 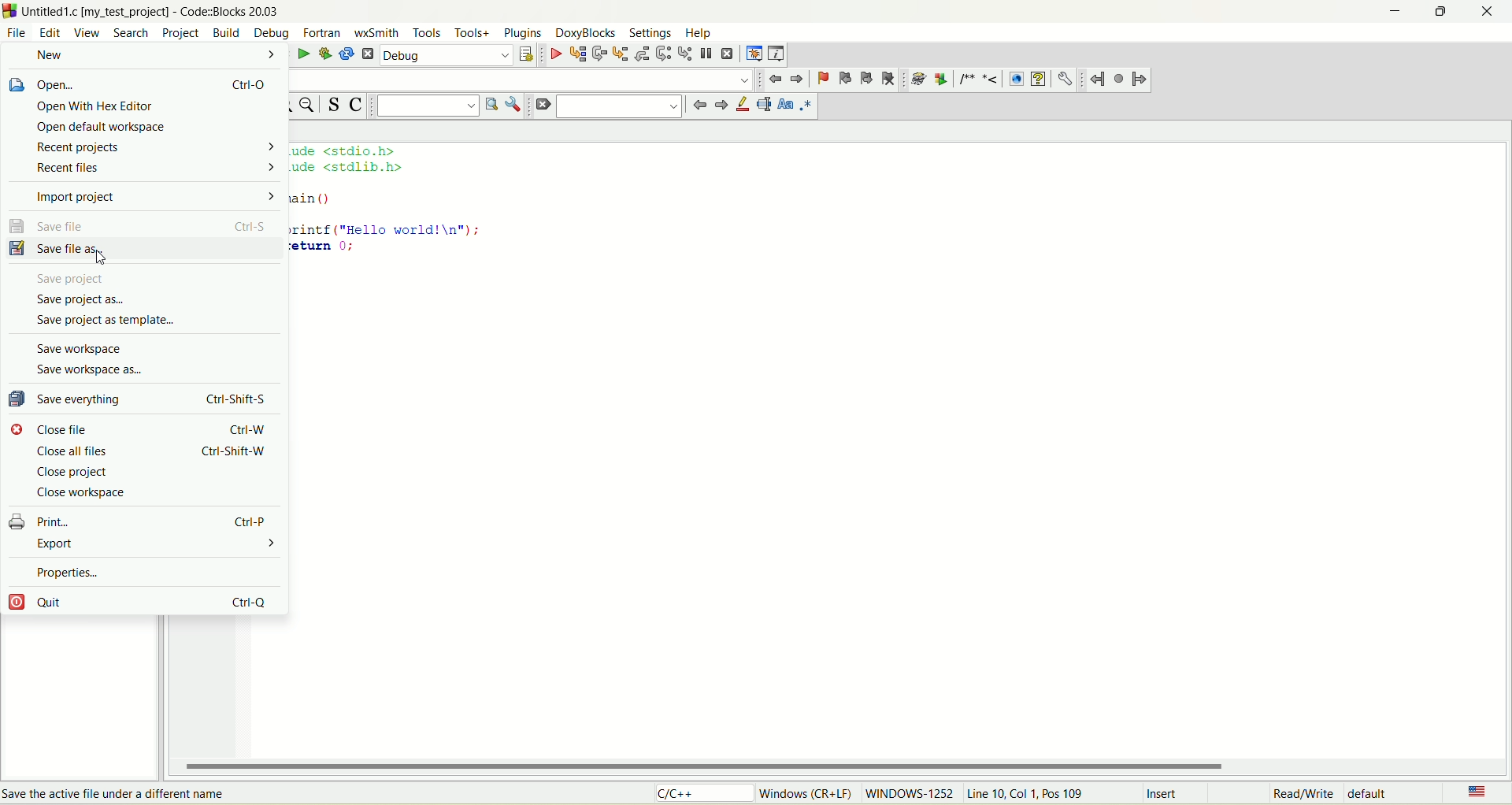 I want to click on blank space, so click(x=620, y=105).